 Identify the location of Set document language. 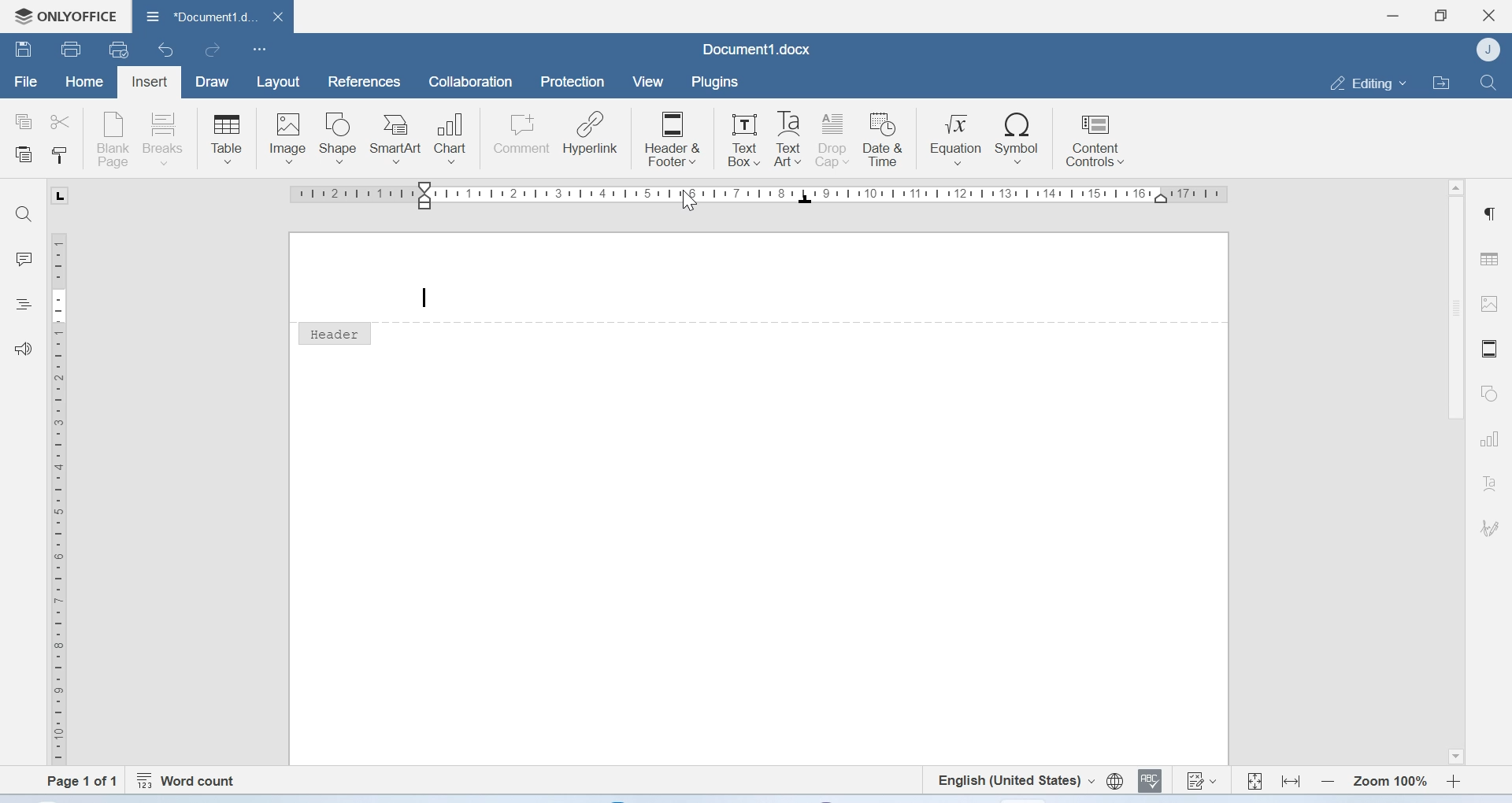
(1114, 782).